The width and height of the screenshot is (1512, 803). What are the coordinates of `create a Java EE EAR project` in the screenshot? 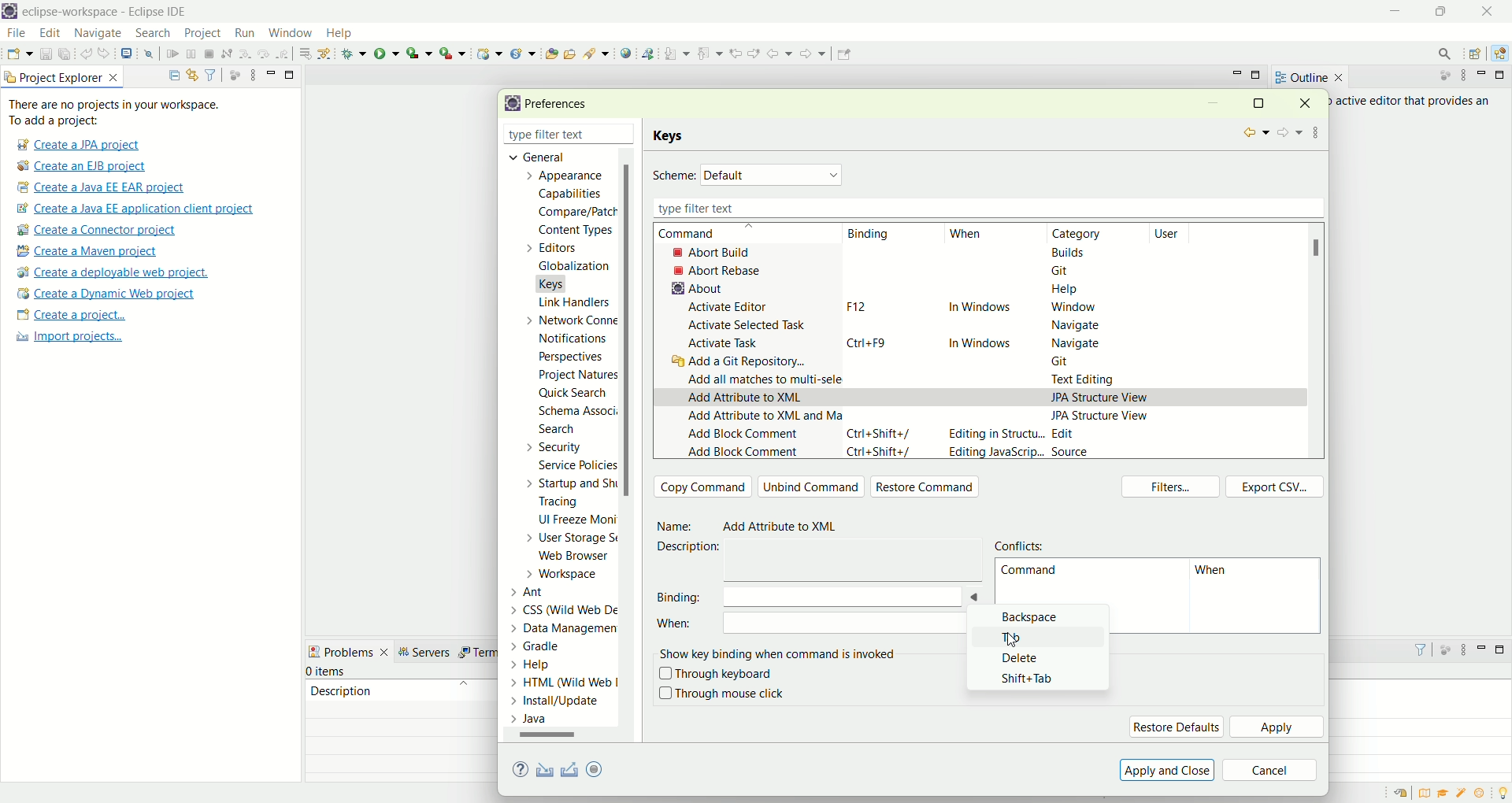 It's located at (102, 187).